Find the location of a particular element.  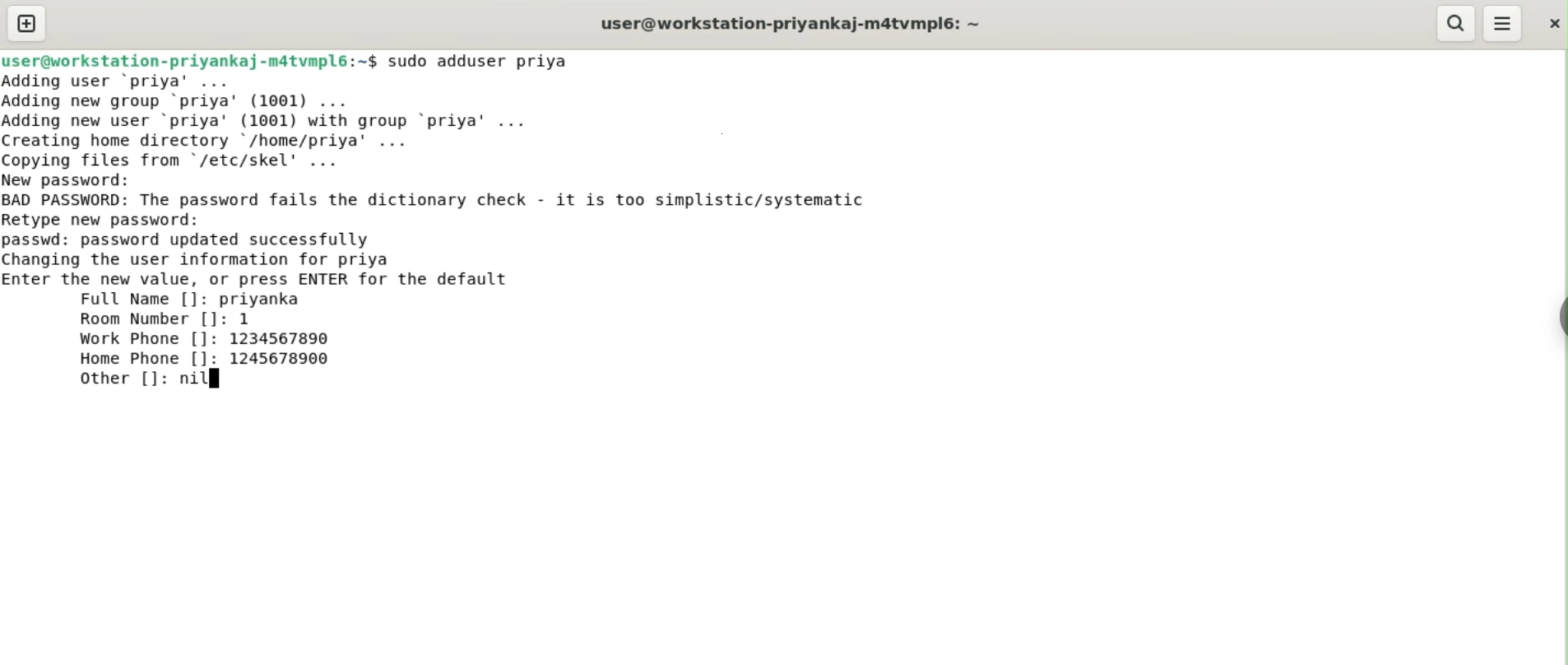

home phone []: is located at coordinates (147, 359).